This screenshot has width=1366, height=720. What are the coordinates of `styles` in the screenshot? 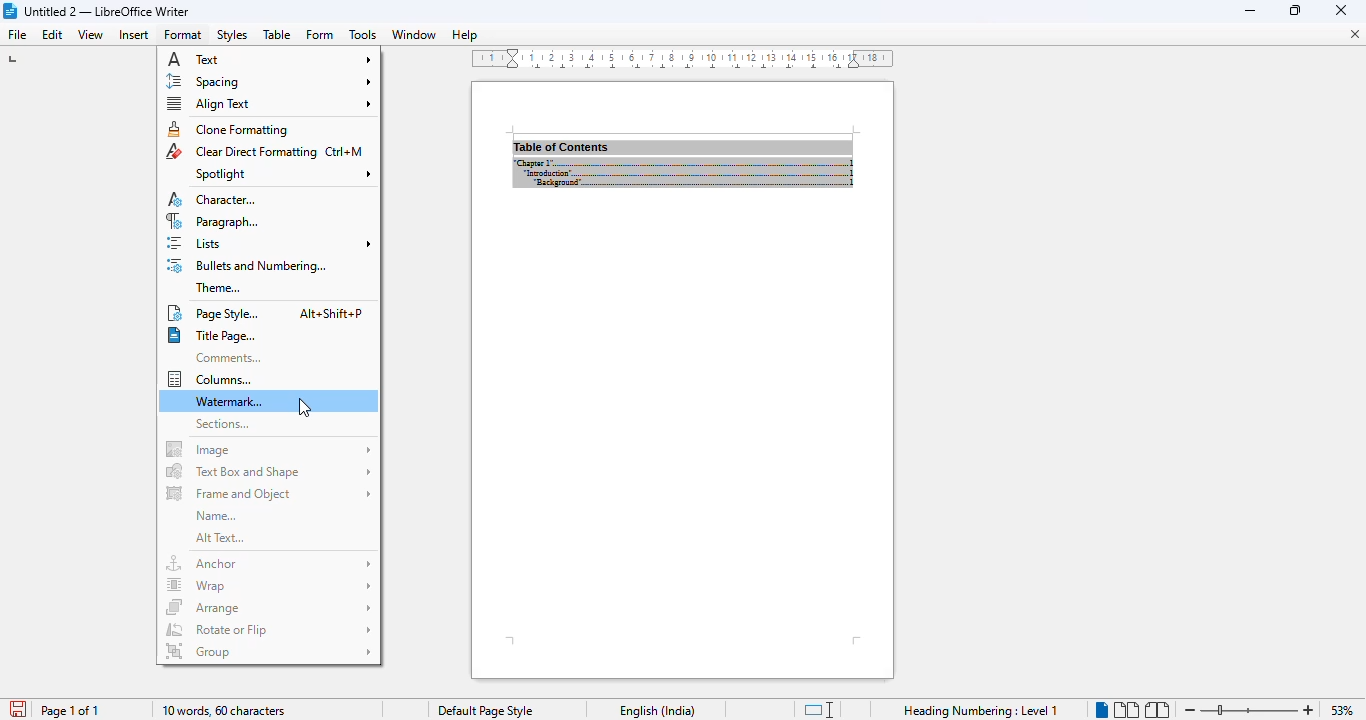 It's located at (232, 35).